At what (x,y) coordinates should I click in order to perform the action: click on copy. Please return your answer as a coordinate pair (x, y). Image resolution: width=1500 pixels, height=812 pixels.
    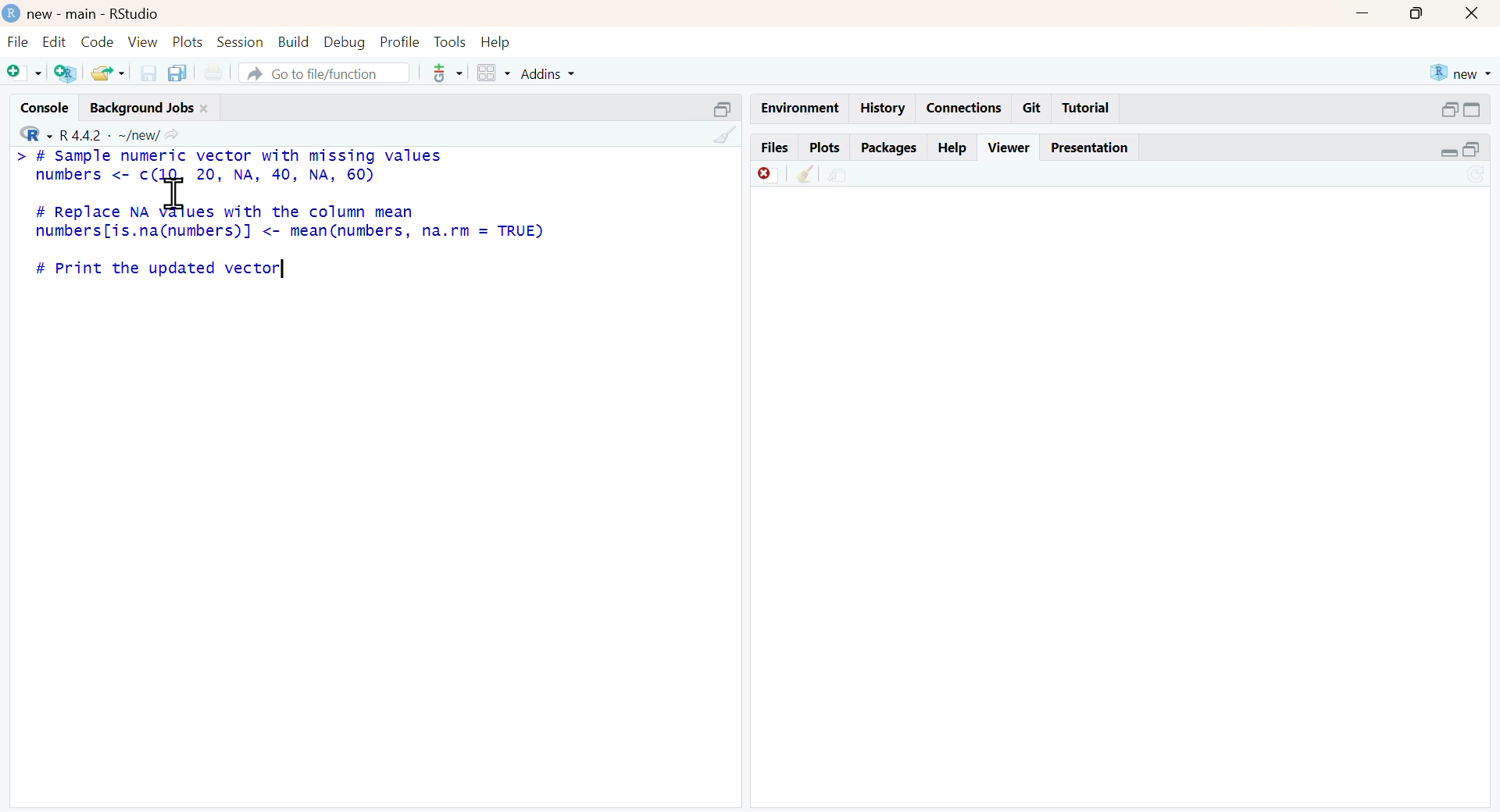
    Looking at the image, I should click on (177, 73).